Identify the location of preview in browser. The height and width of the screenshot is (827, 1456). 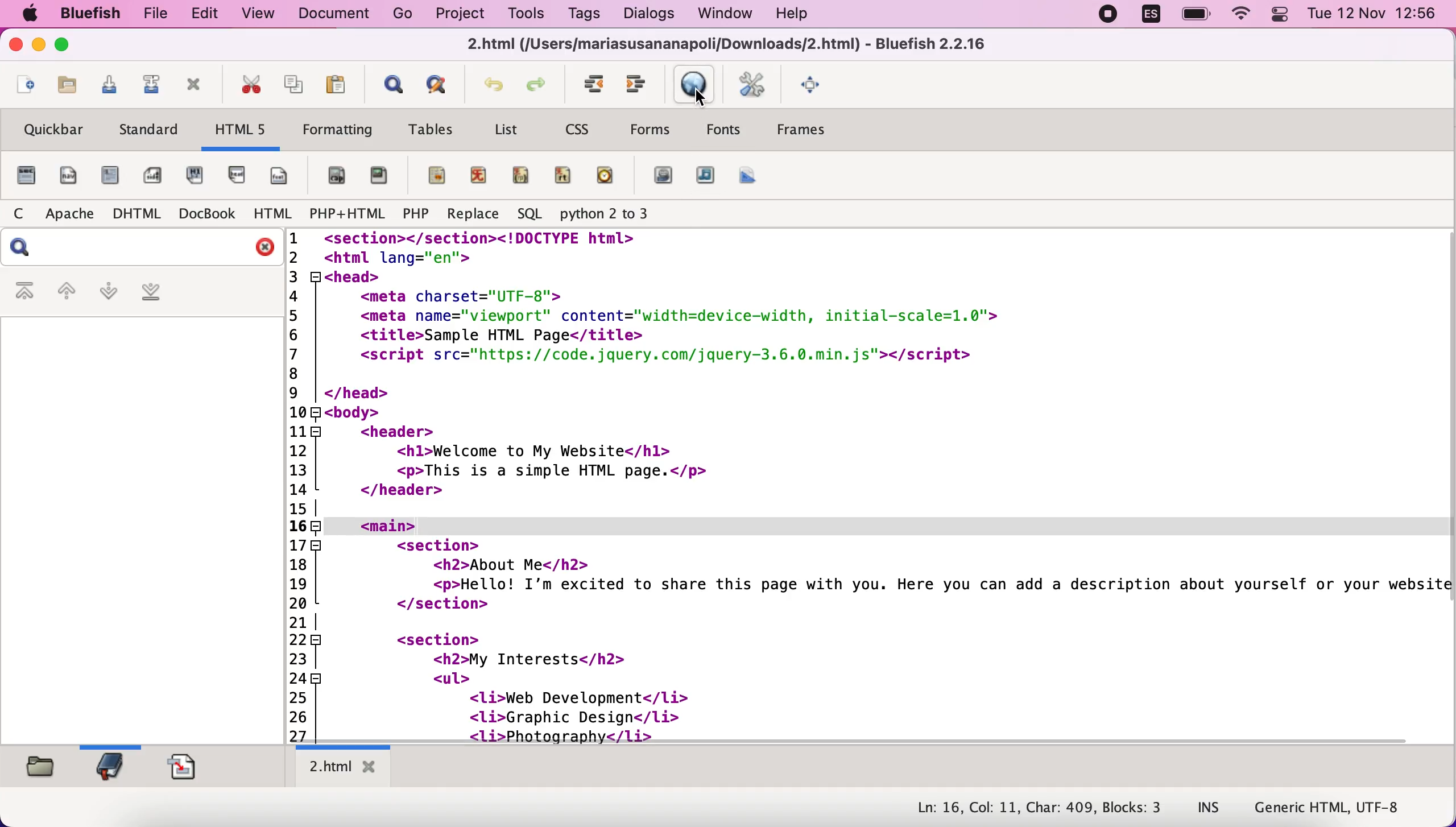
(692, 85).